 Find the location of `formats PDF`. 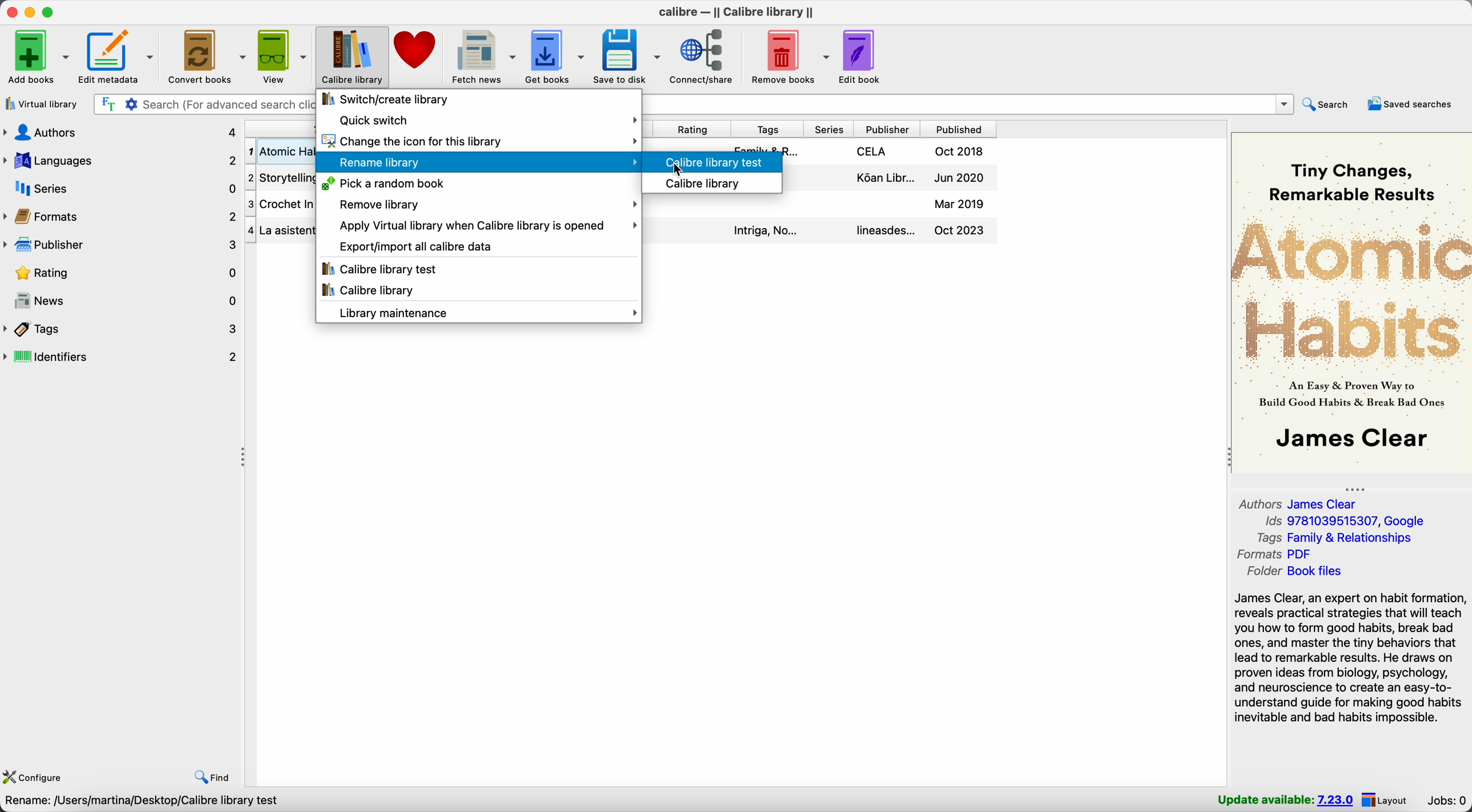

formats PDF is located at coordinates (1274, 554).